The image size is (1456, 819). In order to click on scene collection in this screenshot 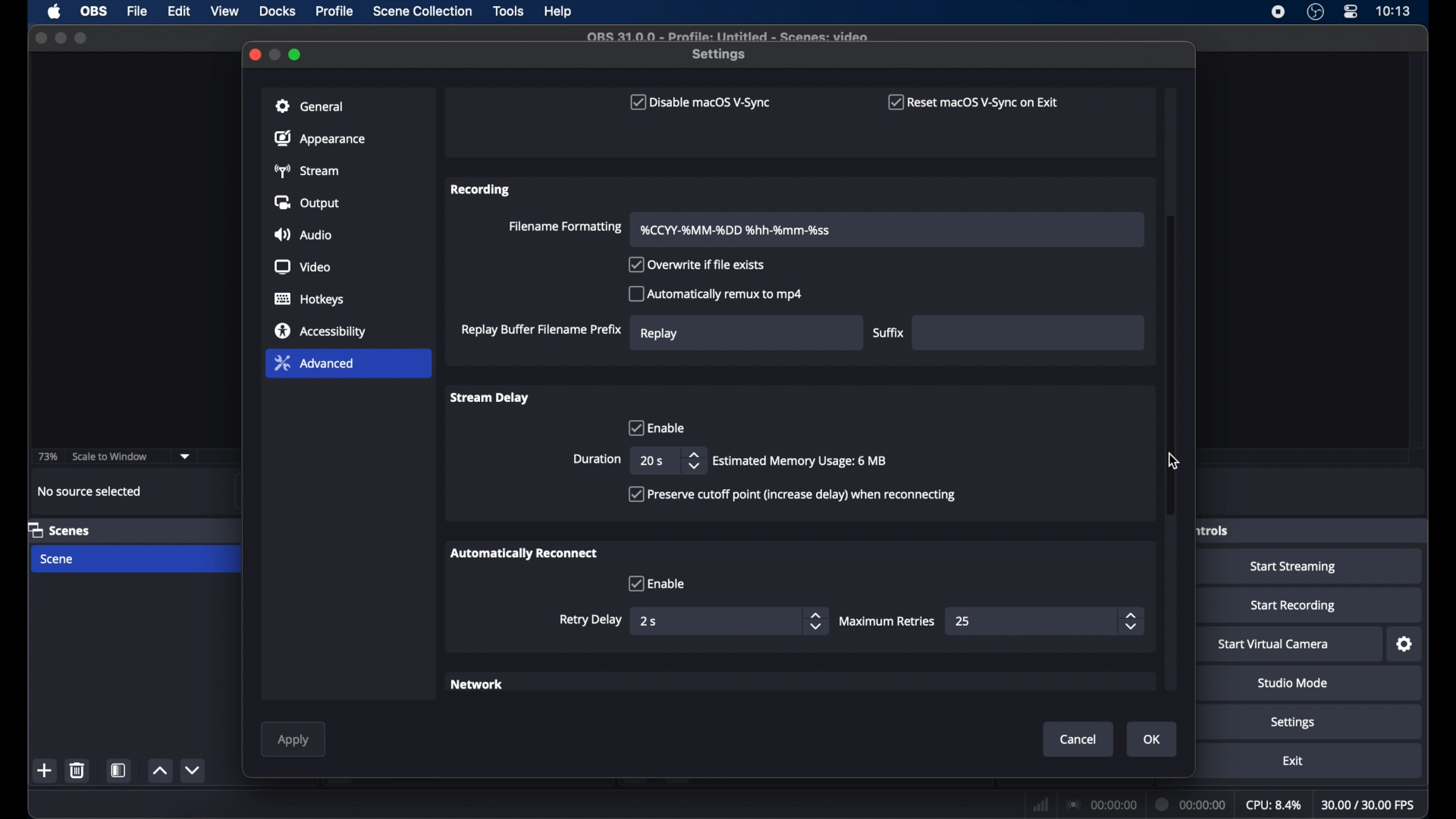, I will do `click(424, 11)`.